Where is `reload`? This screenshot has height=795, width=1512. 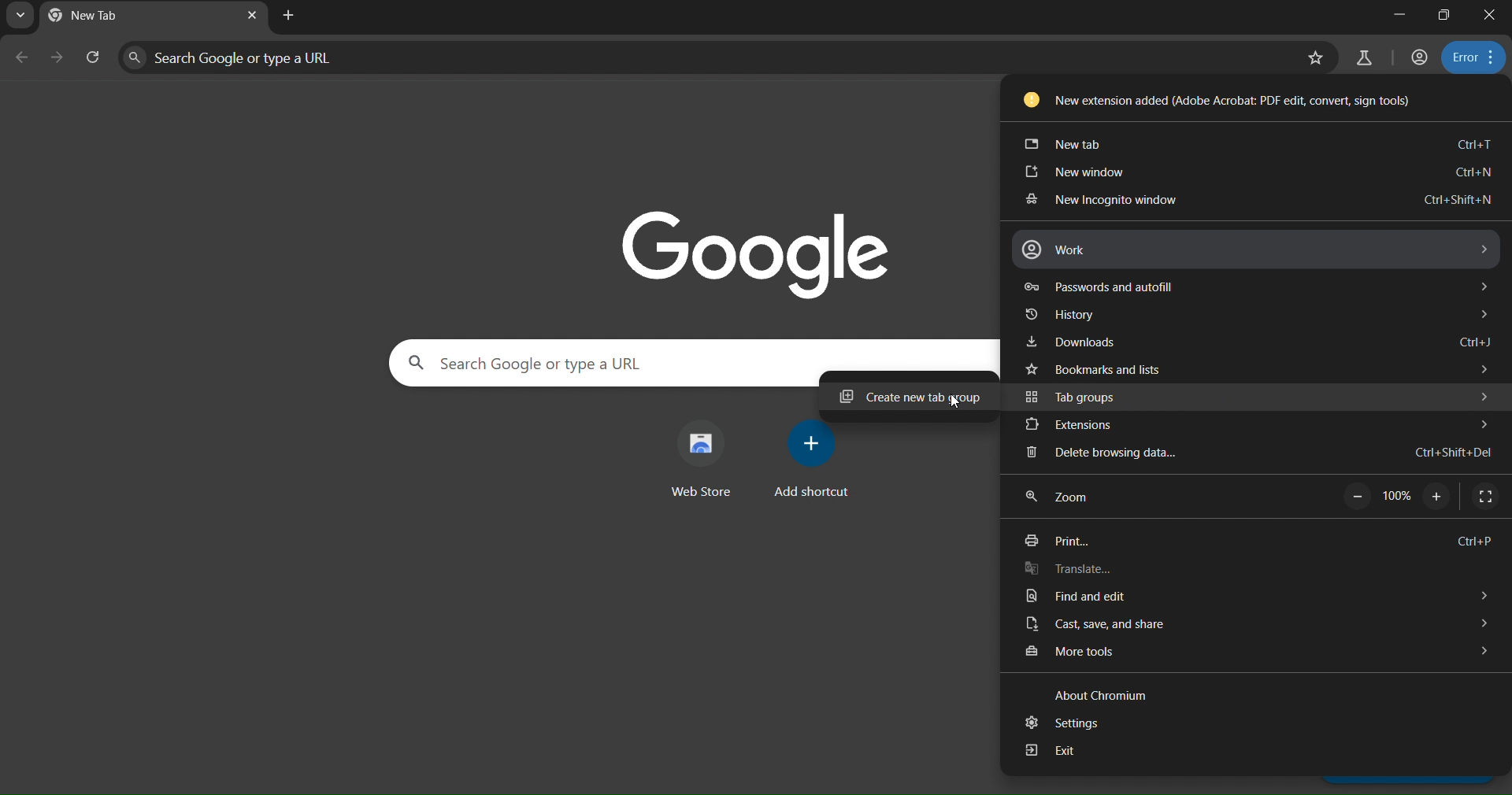
reload is located at coordinates (94, 54).